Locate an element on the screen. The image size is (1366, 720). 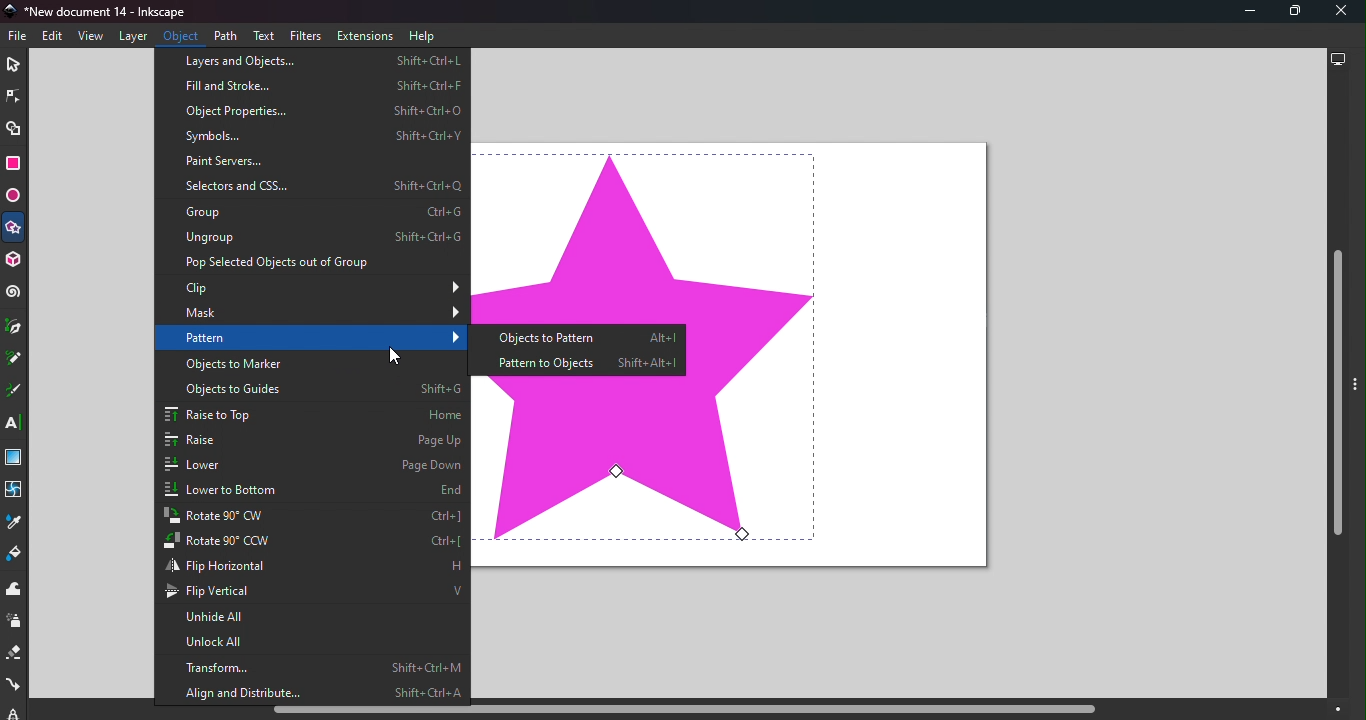
Filters is located at coordinates (306, 36).